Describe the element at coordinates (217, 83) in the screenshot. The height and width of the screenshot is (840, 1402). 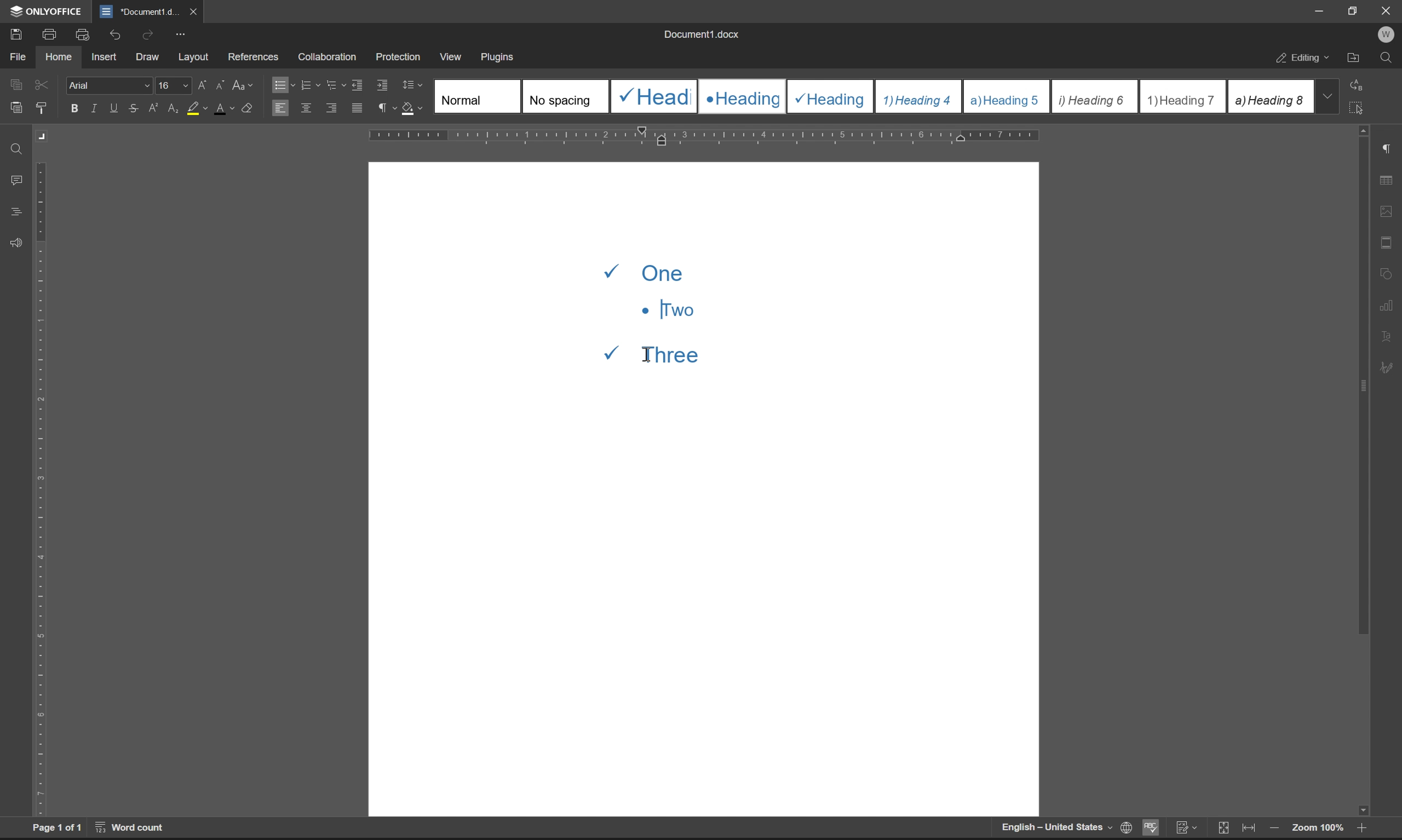
I see `decrement font case` at that location.